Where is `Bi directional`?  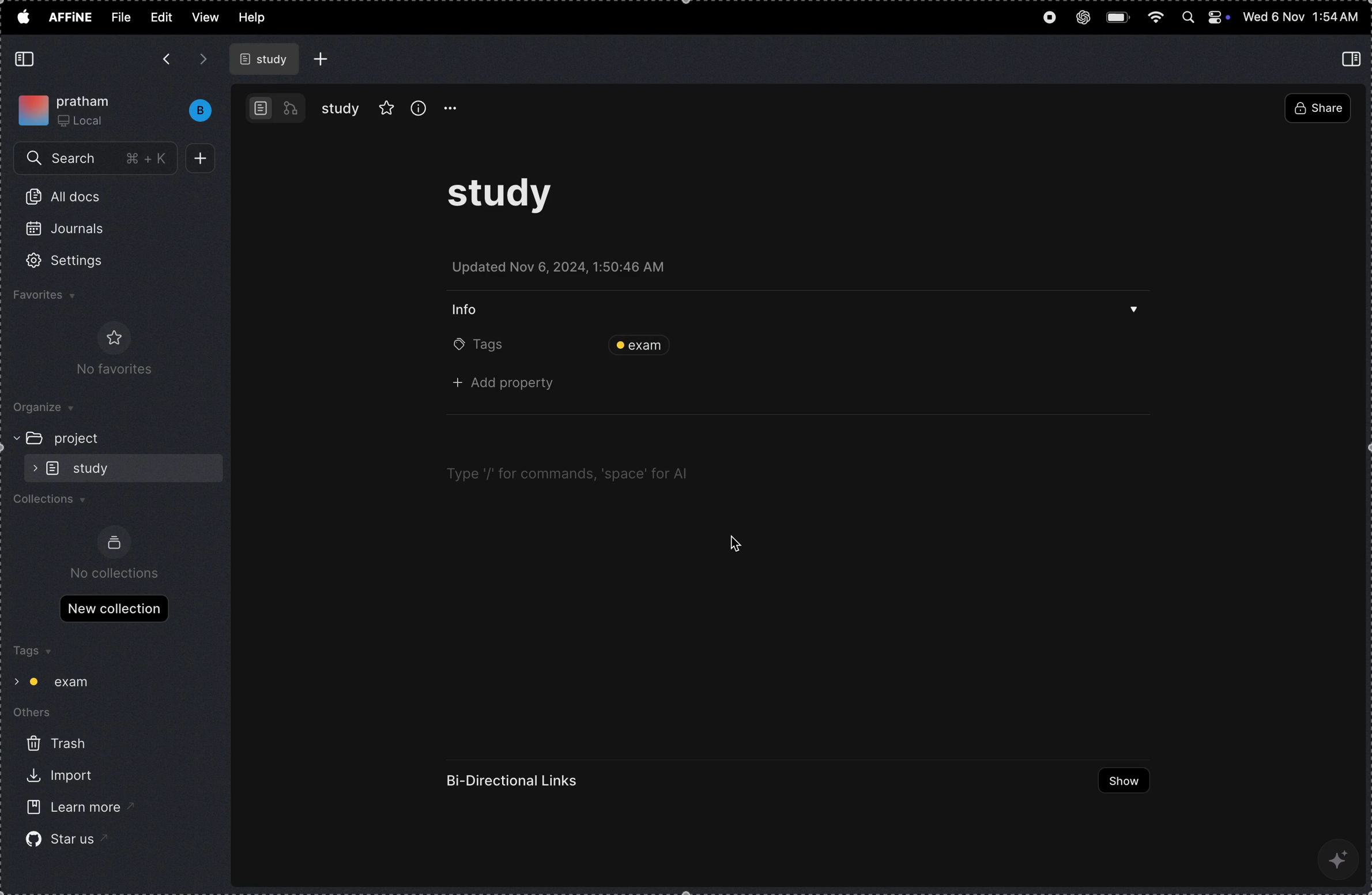 Bi directional is located at coordinates (515, 781).